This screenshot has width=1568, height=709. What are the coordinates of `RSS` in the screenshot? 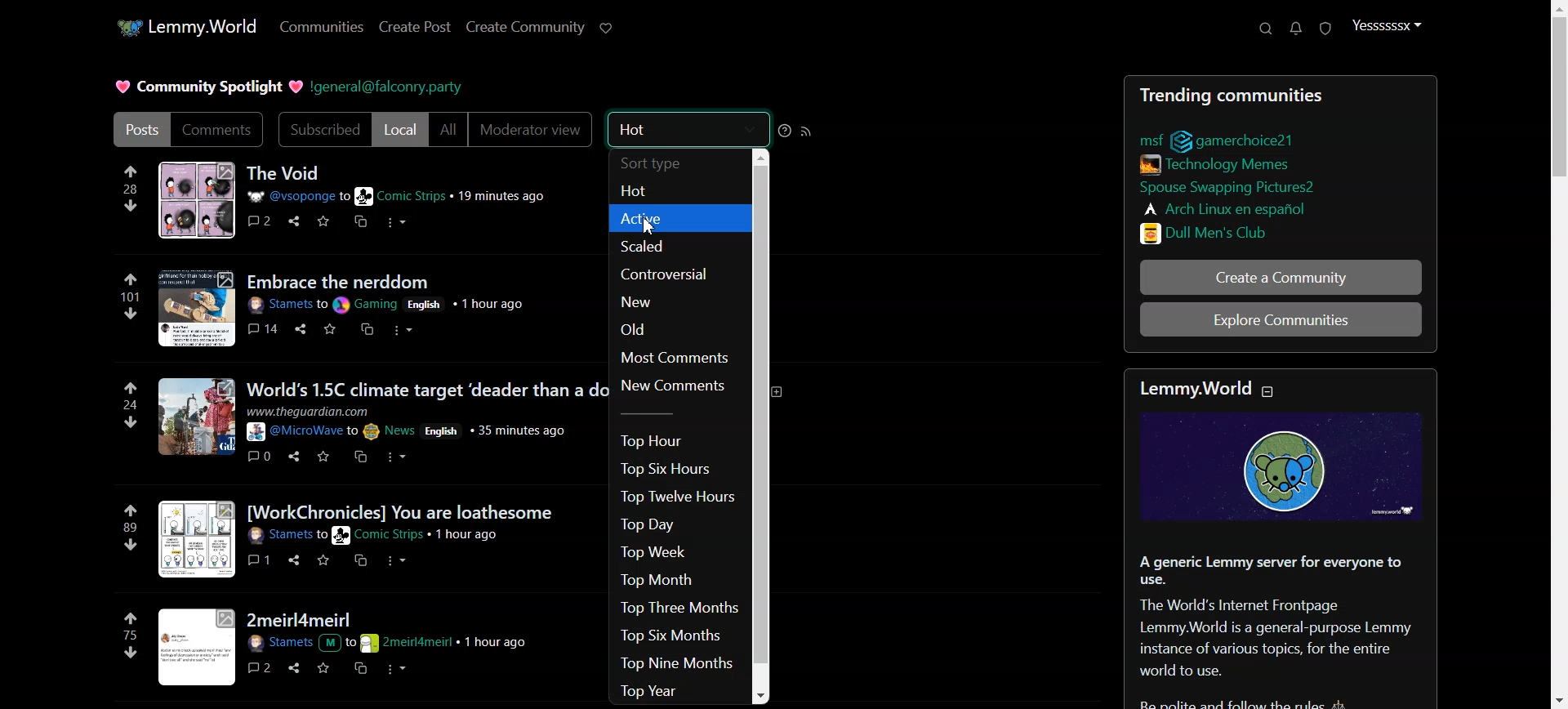 It's located at (807, 131).